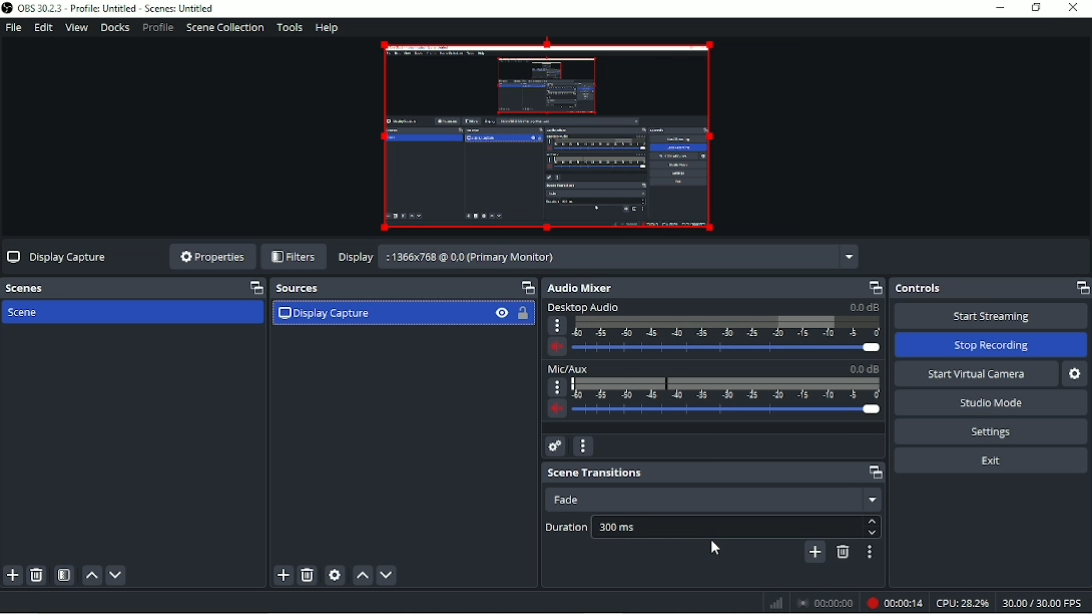 The width and height of the screenshot is (1092, 614). What do you see at coordinates (711, 497) in the screenshot?
I see `Fade` at bounding box center [711, 497].